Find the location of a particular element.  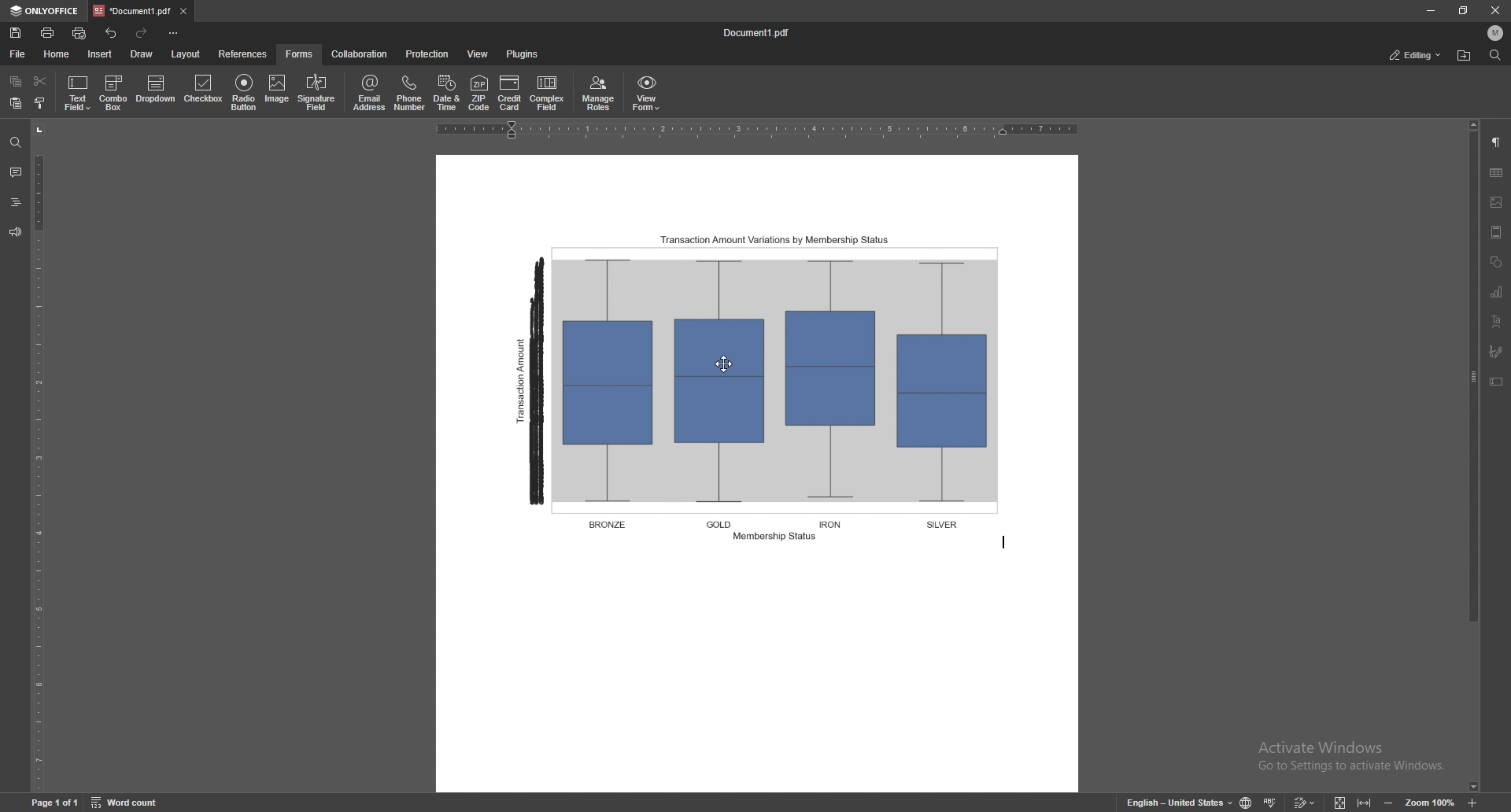

close tab is located at coordinates (183, 12).